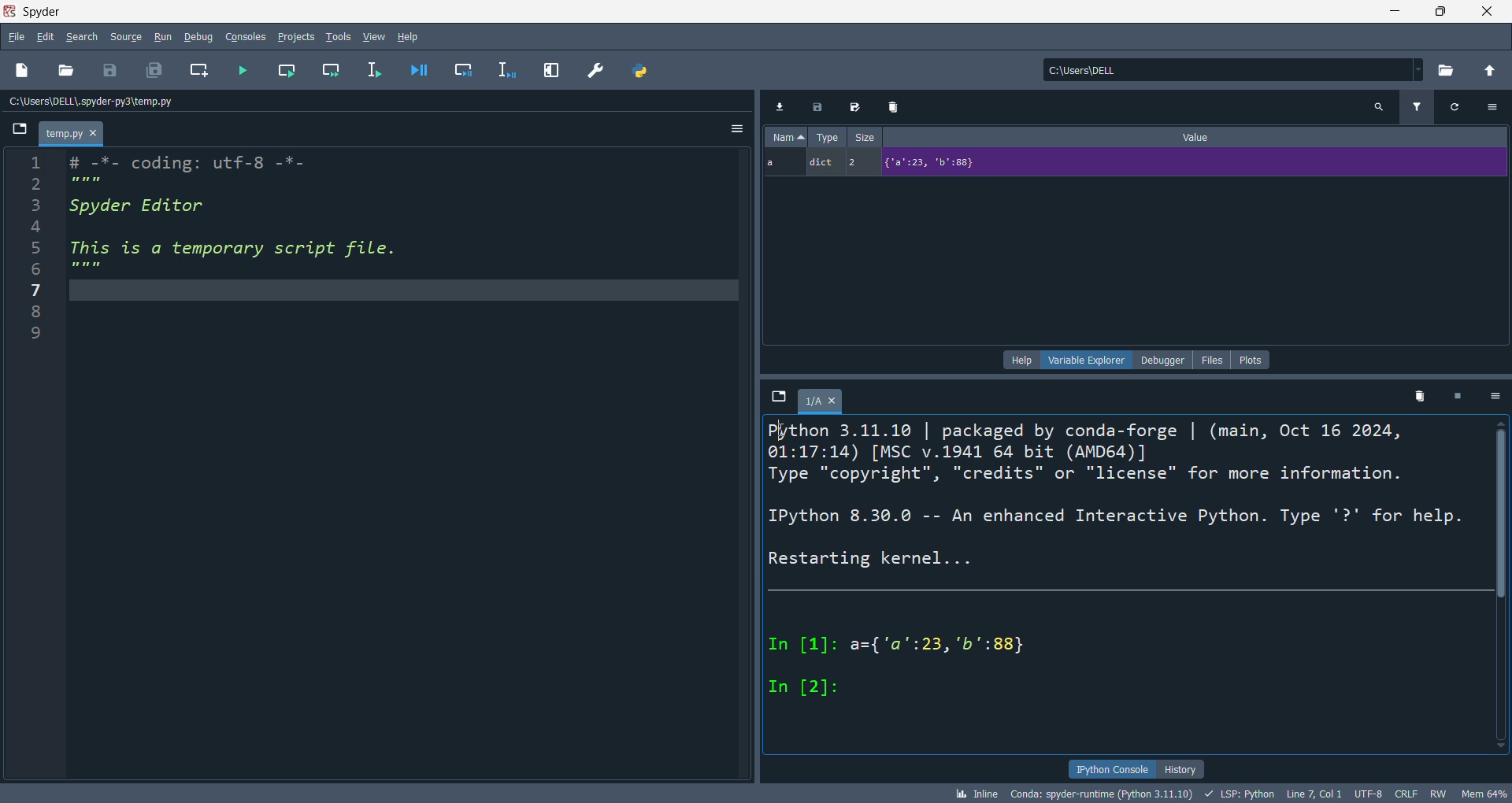  Describe the element at coordinates (779, 106) in the screenshot. I see `import data` at that location.